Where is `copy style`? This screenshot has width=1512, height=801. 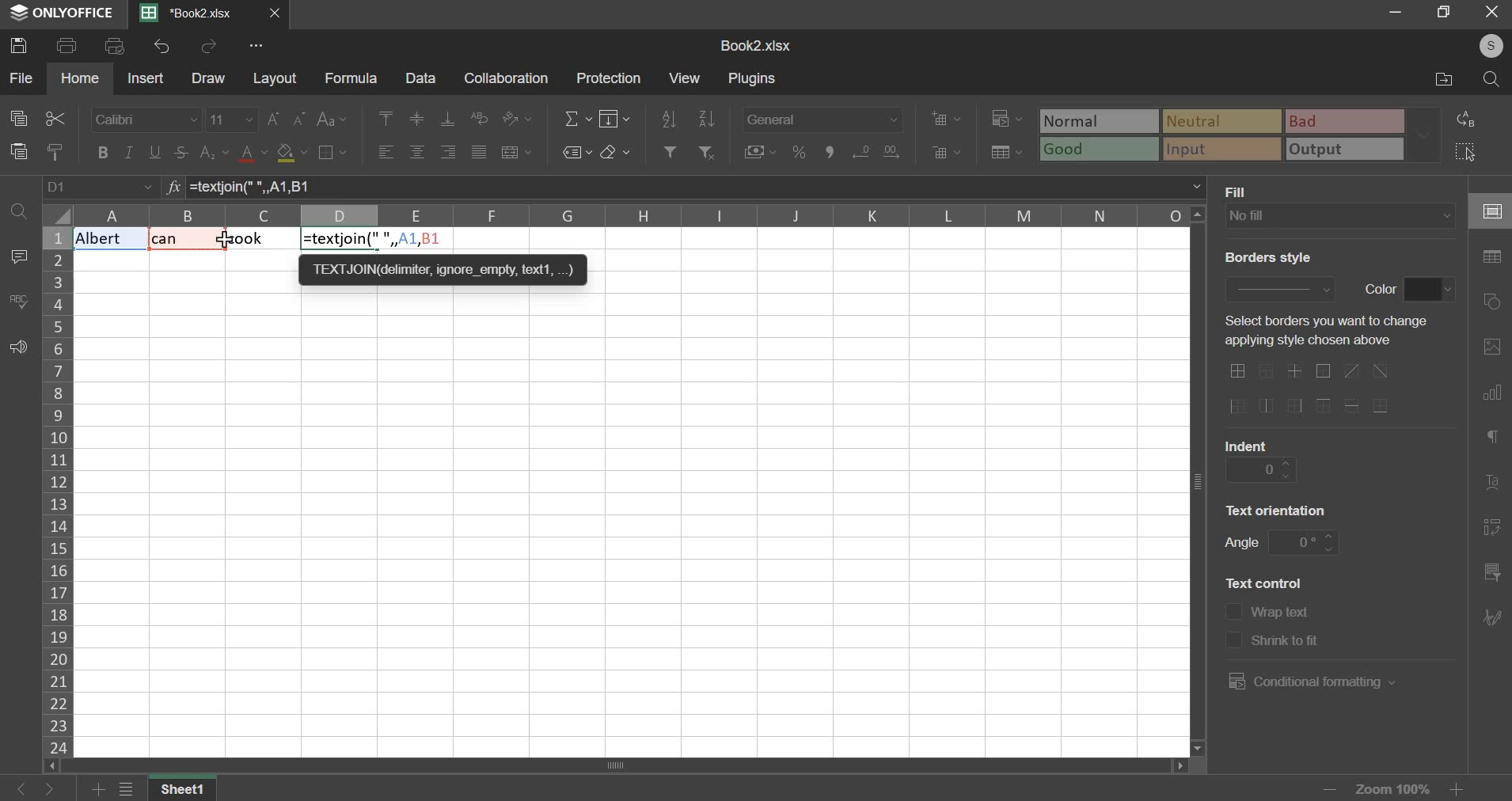
copy style is located at coordinates (56, 151).